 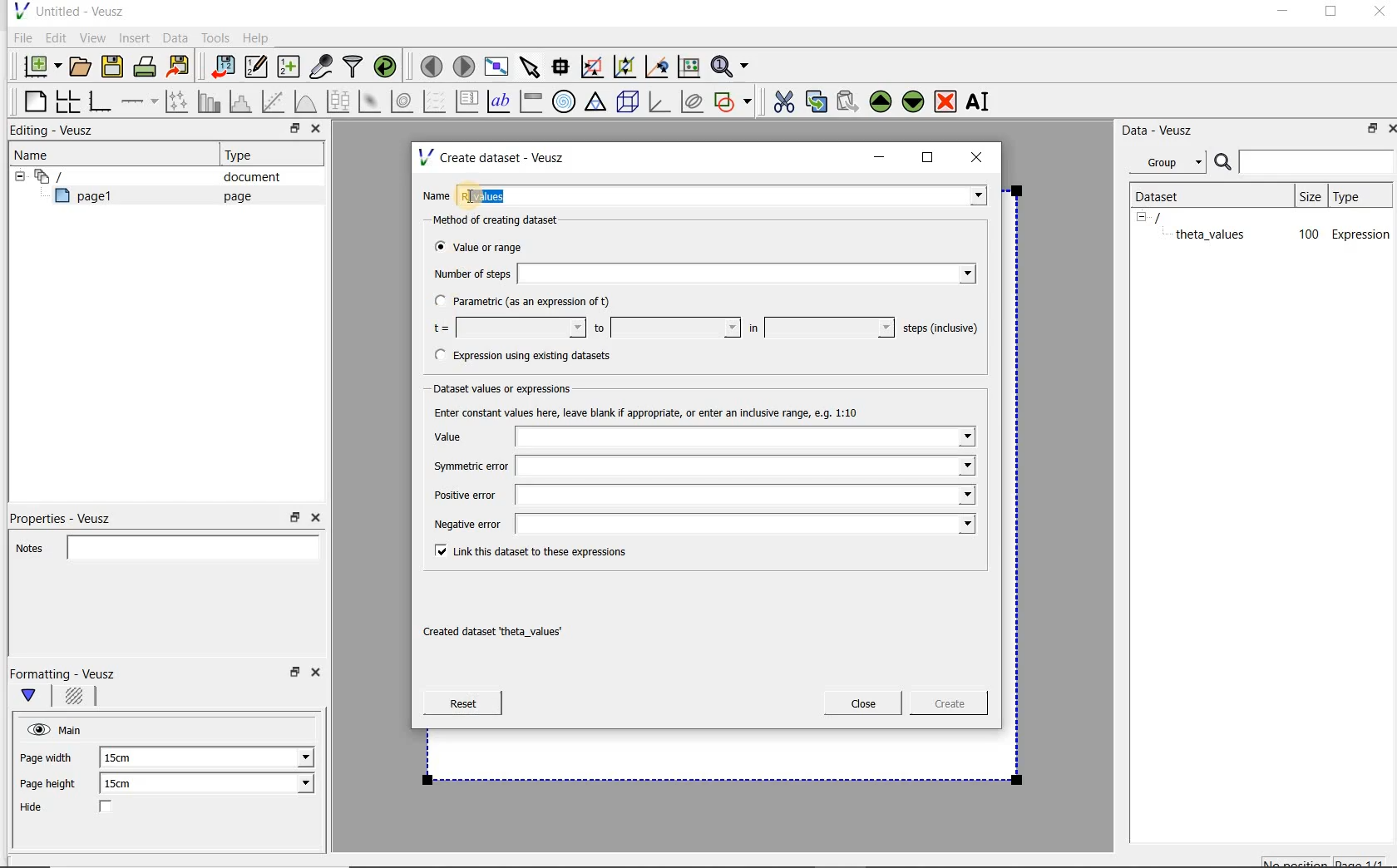 I want to click on select items from the graph or scroll, so click(x=529, y=65).